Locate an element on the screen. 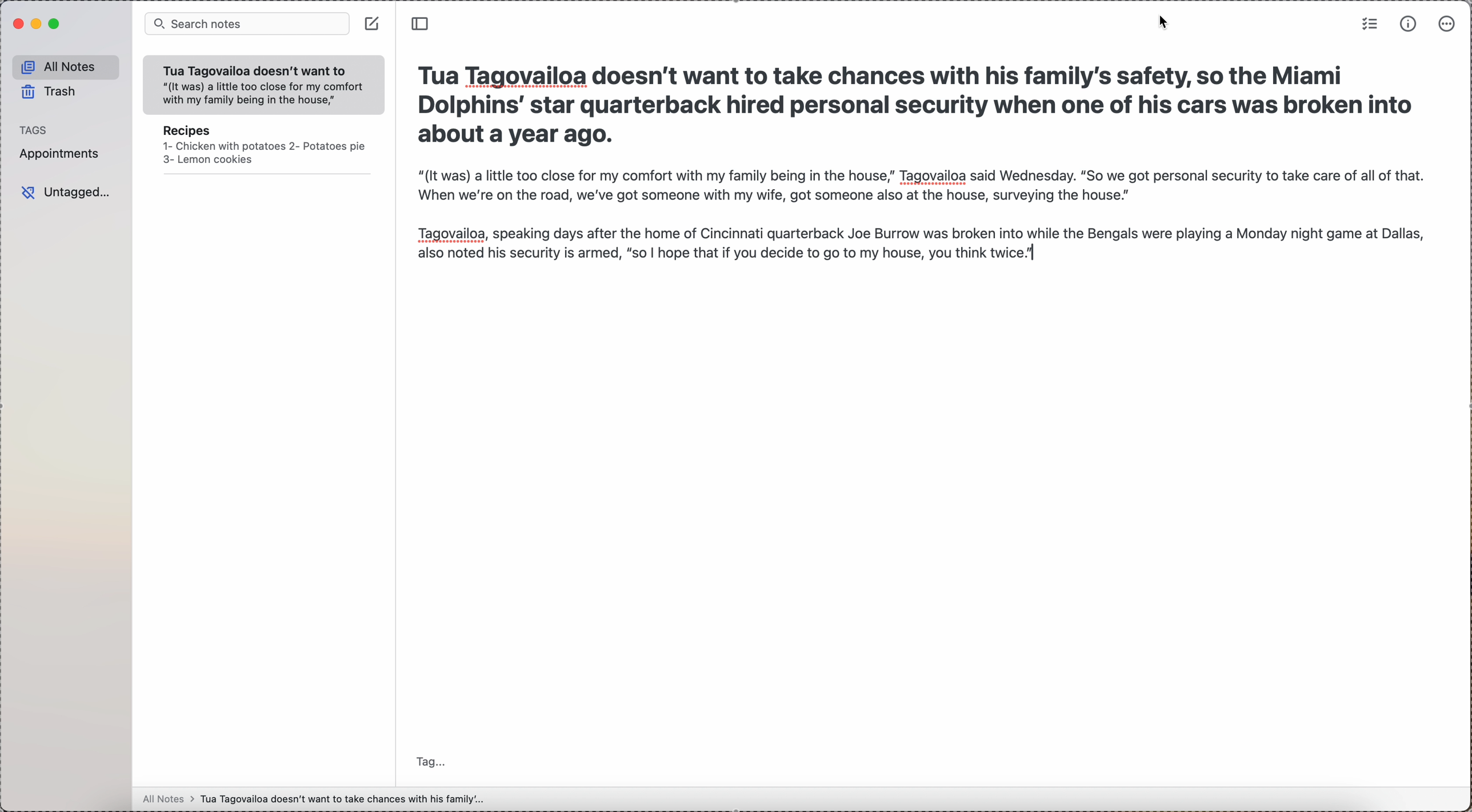 This screenshot has width=1472, height=812. all notes is located at coordinates (312, 801).